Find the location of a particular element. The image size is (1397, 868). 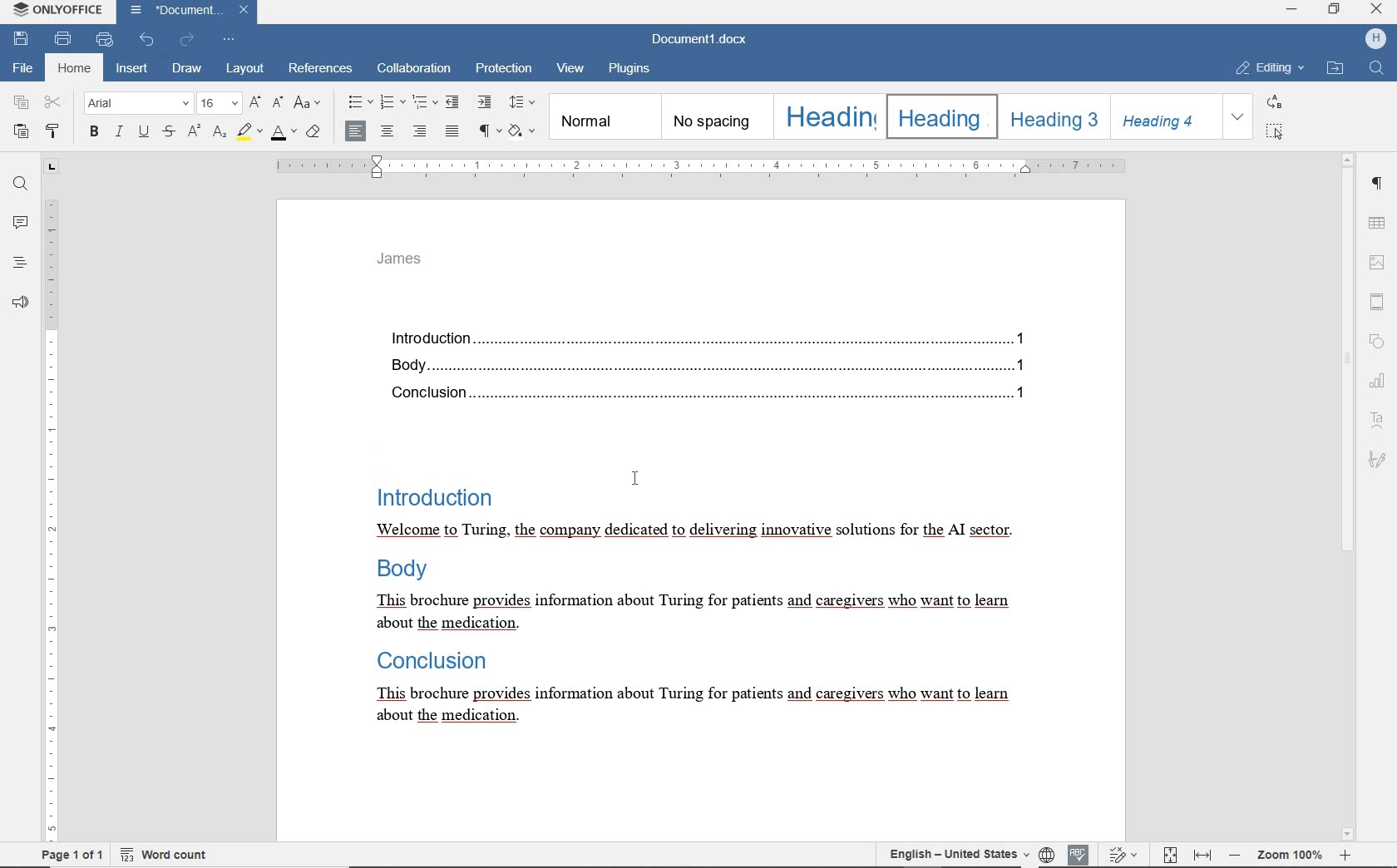

track changes is located at coordinates (1124, 855).